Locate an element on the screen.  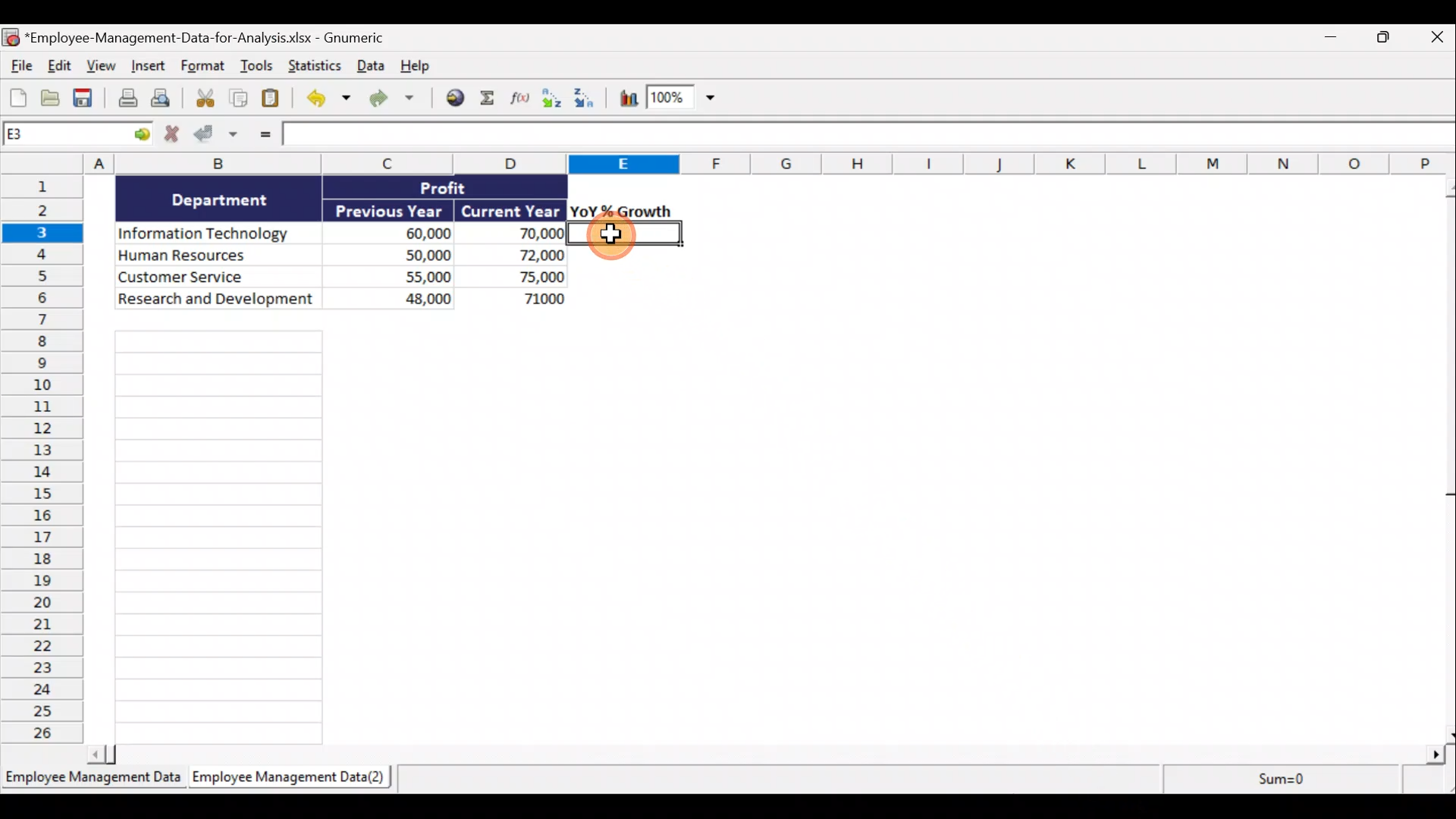
Format is located at coordinates (204, 67).